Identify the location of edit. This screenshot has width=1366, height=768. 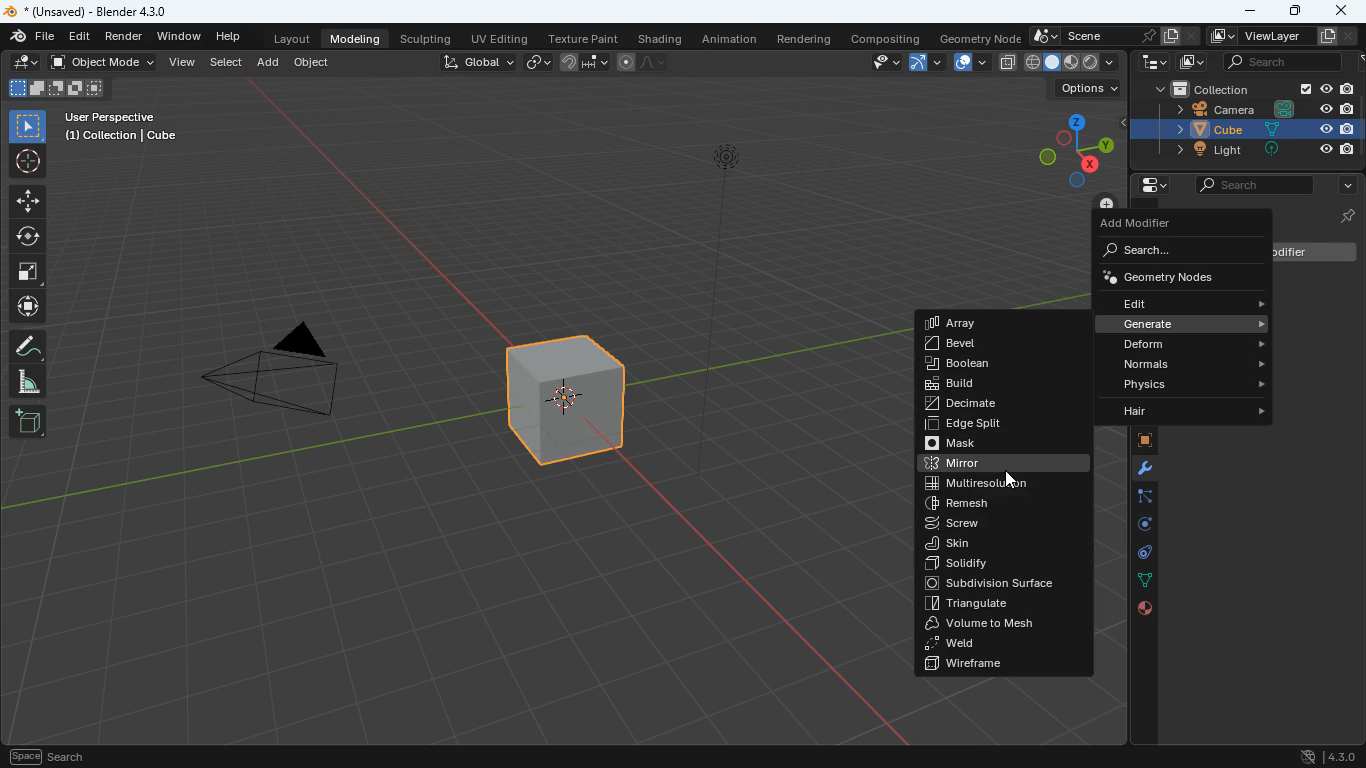
(22, 63).